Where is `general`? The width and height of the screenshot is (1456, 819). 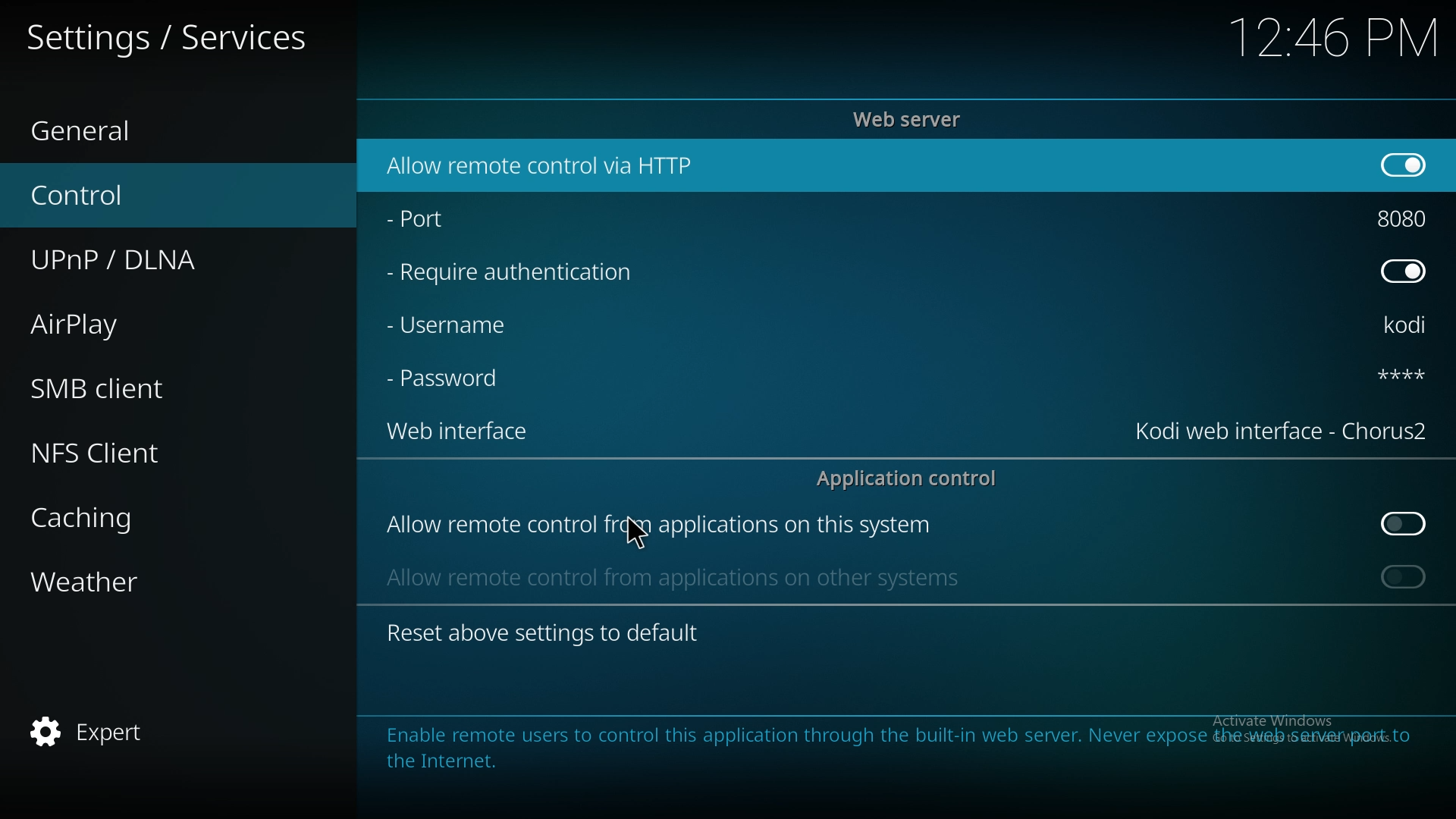
general is located at coordinates (129, 127).